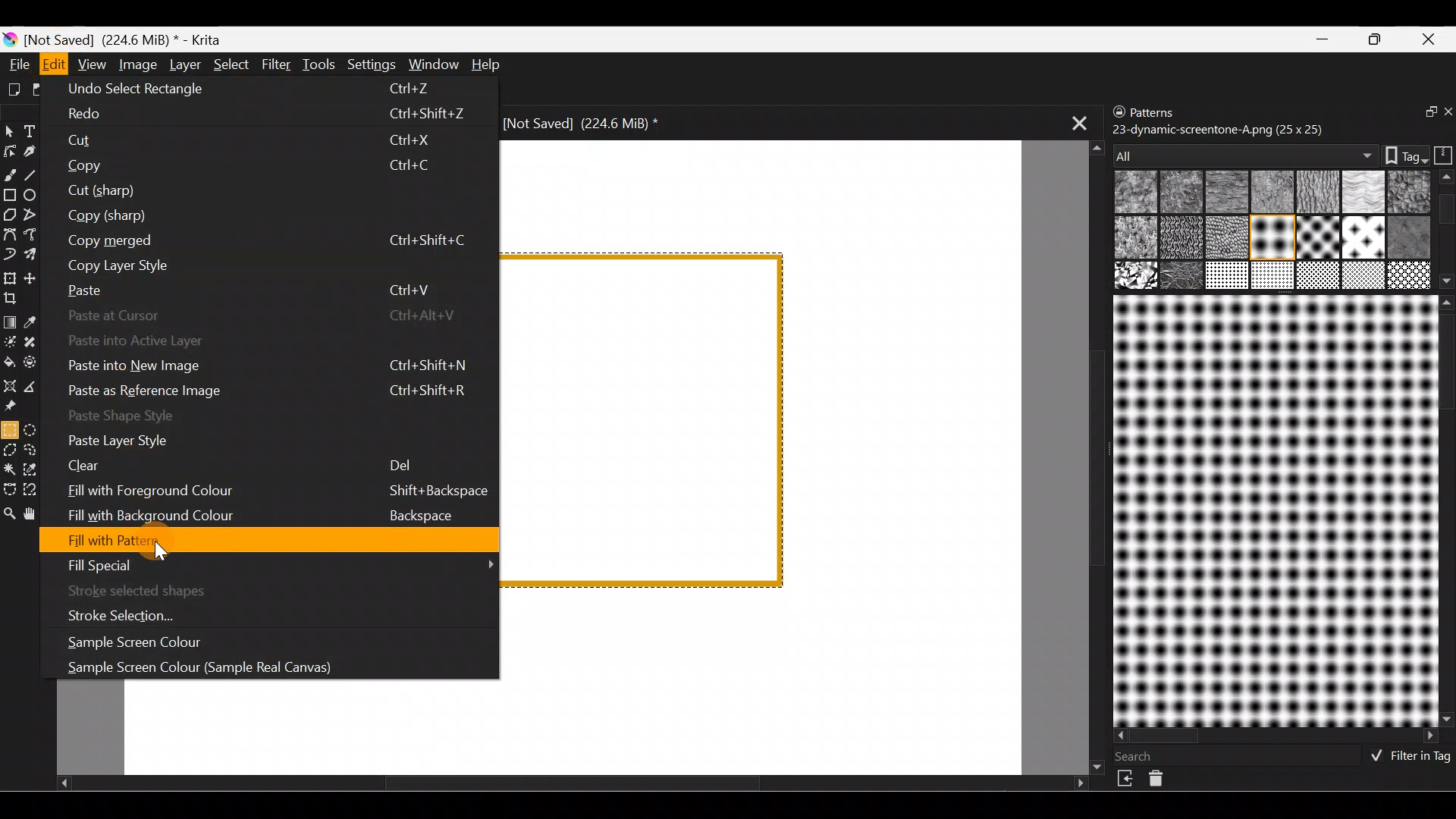 The height and width of the screenshot is (819, 1456). Describe the element at coordinates (1447, 230) in the screenshot. I see `Scroll bar` at that location.